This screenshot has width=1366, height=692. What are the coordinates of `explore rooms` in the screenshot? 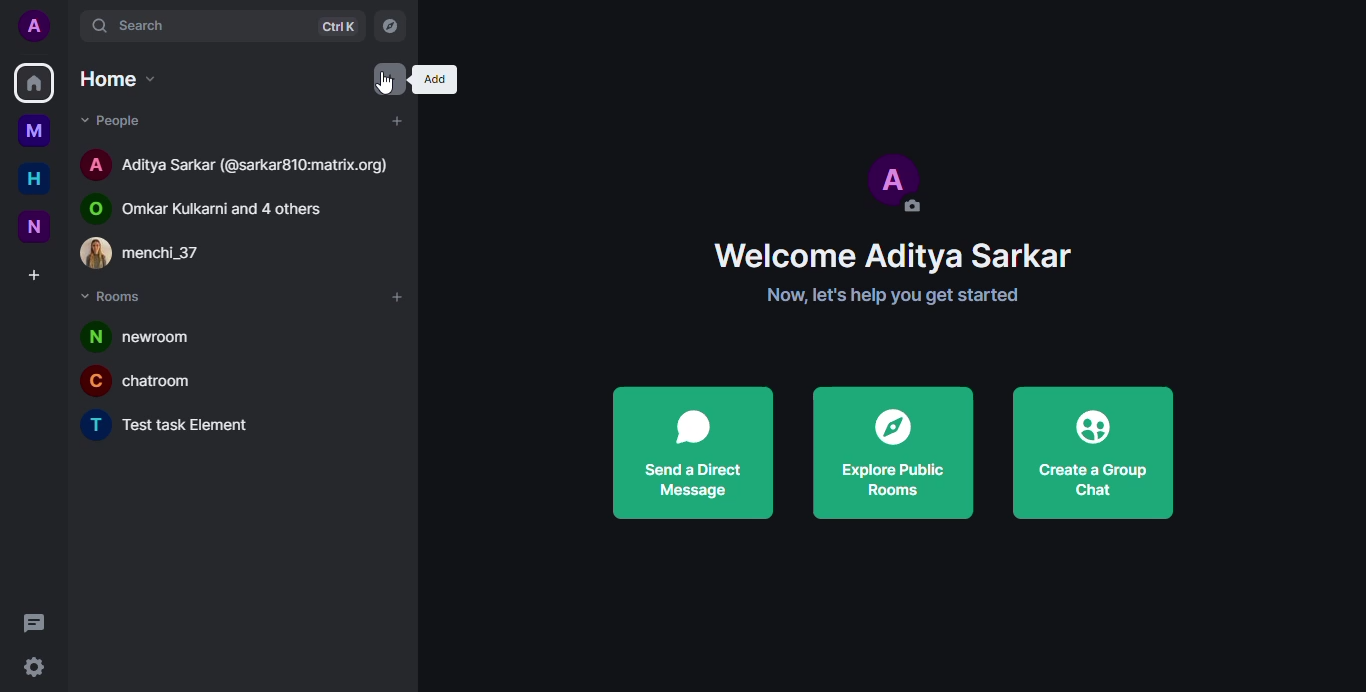 It's located at (389, 26).